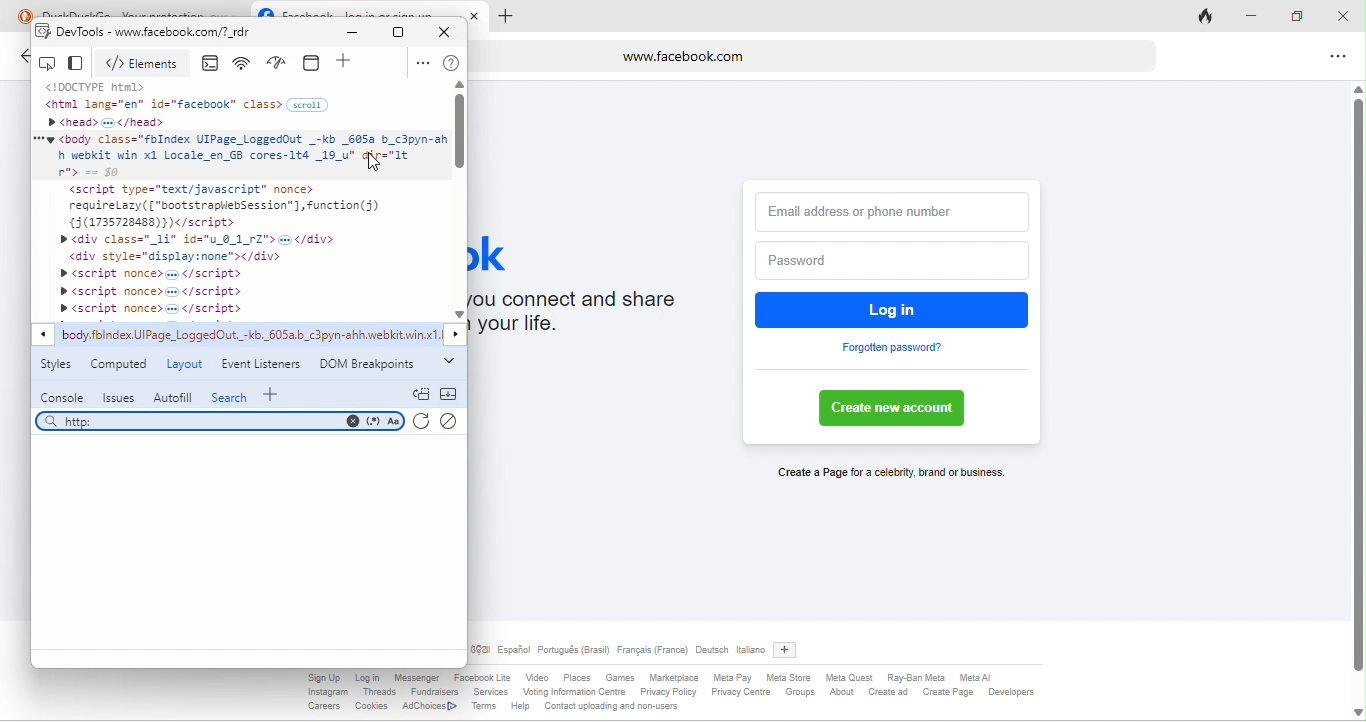  What do you see at coordinates (315, 62) in the screenshot?
I see `application` at bounding box center [315, 62].